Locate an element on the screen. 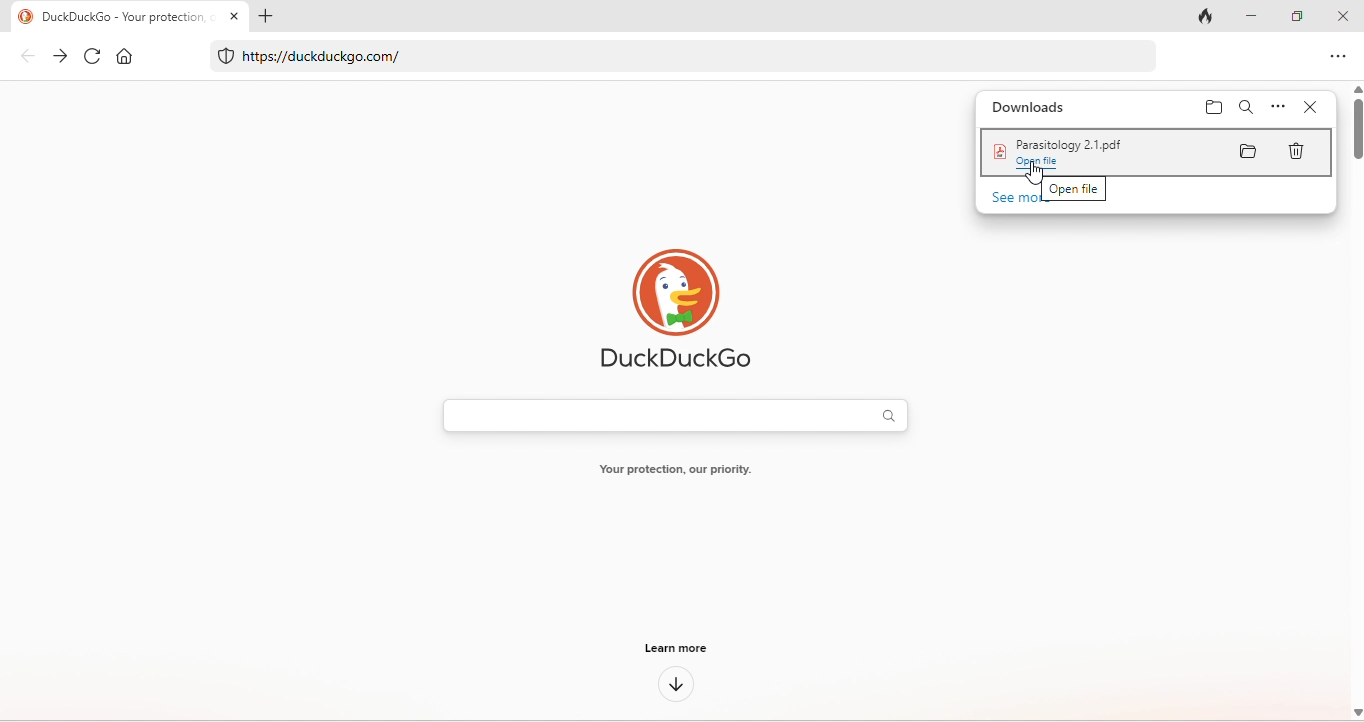 This screenshot has height=722, width=1364. folder is located at coordinates (1210, 107).